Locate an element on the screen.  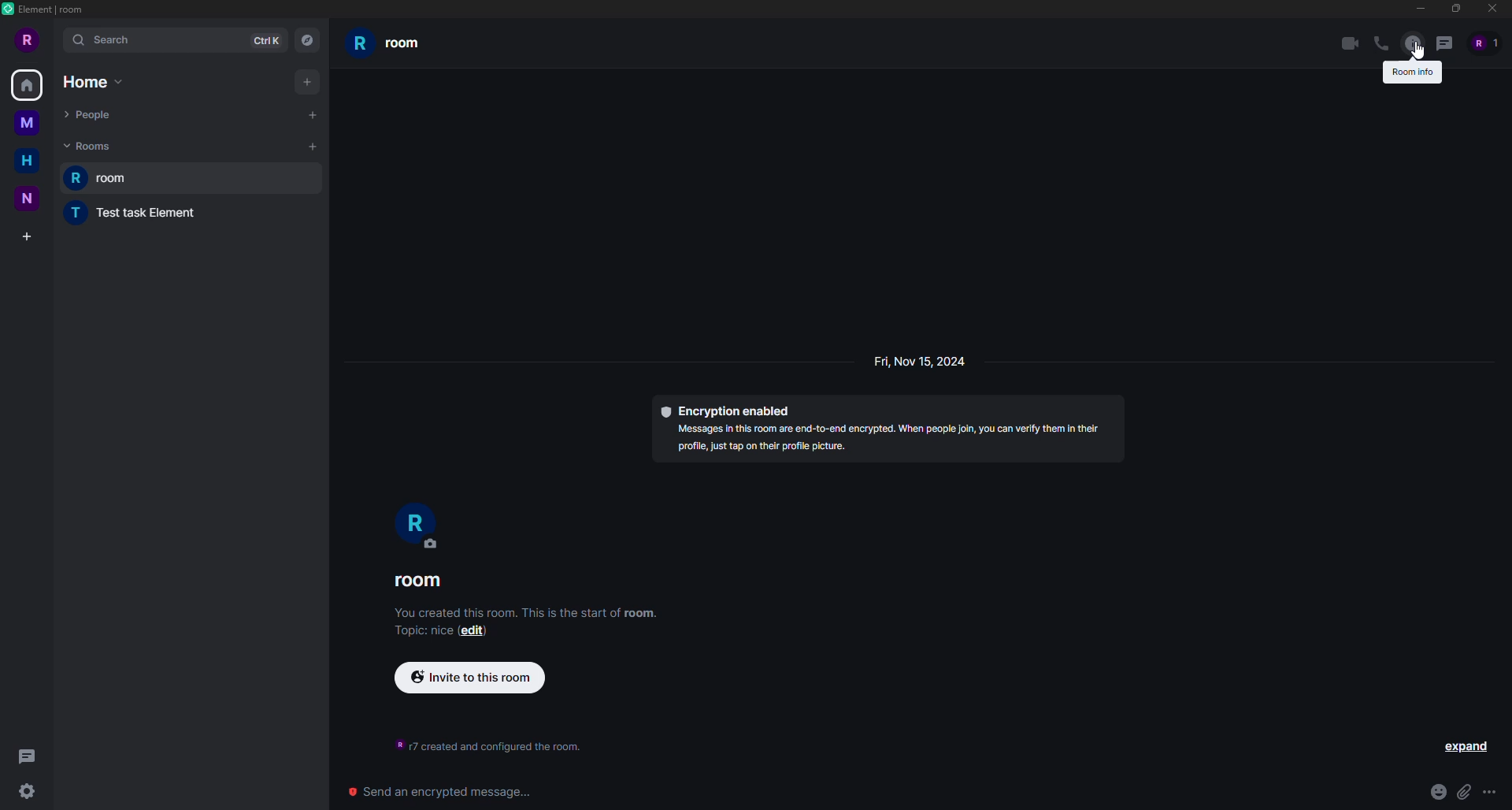
cursor is located at coordinates (1420, 54).